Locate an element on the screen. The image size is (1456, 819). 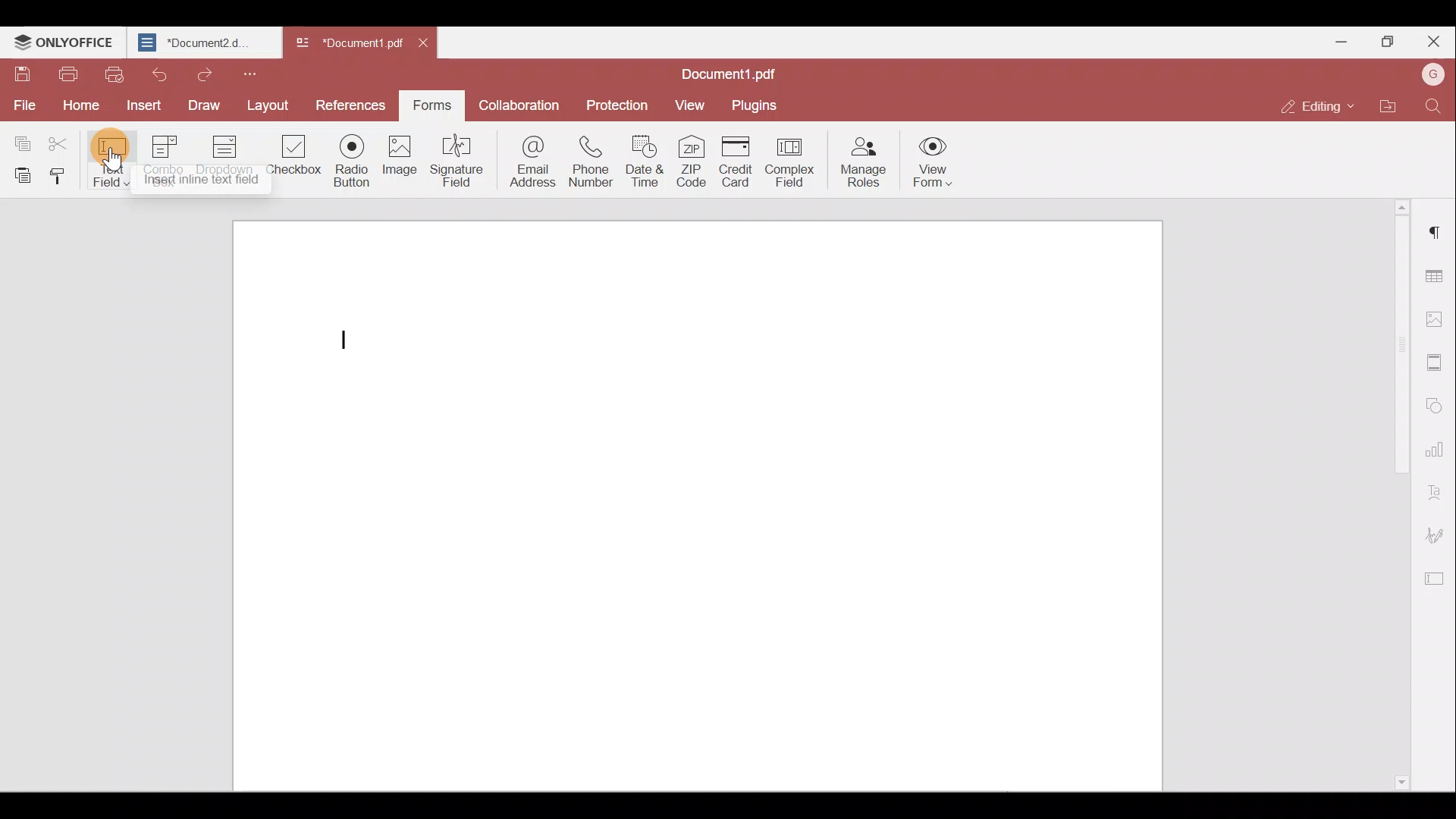
Plugins is located at coordinates (757, 105).